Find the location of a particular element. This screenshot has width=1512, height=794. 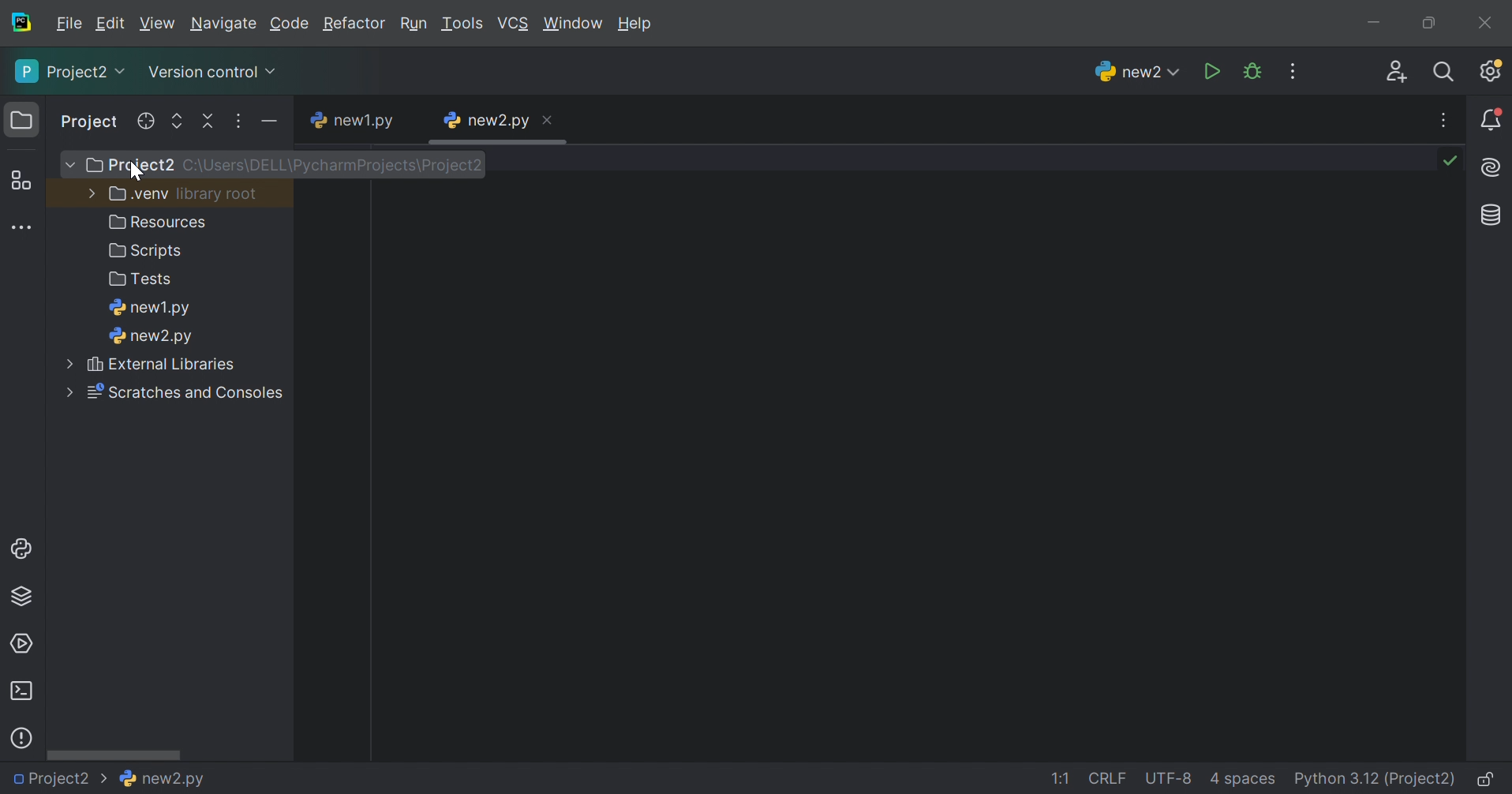

Problems is located at coordinates (24, 736).